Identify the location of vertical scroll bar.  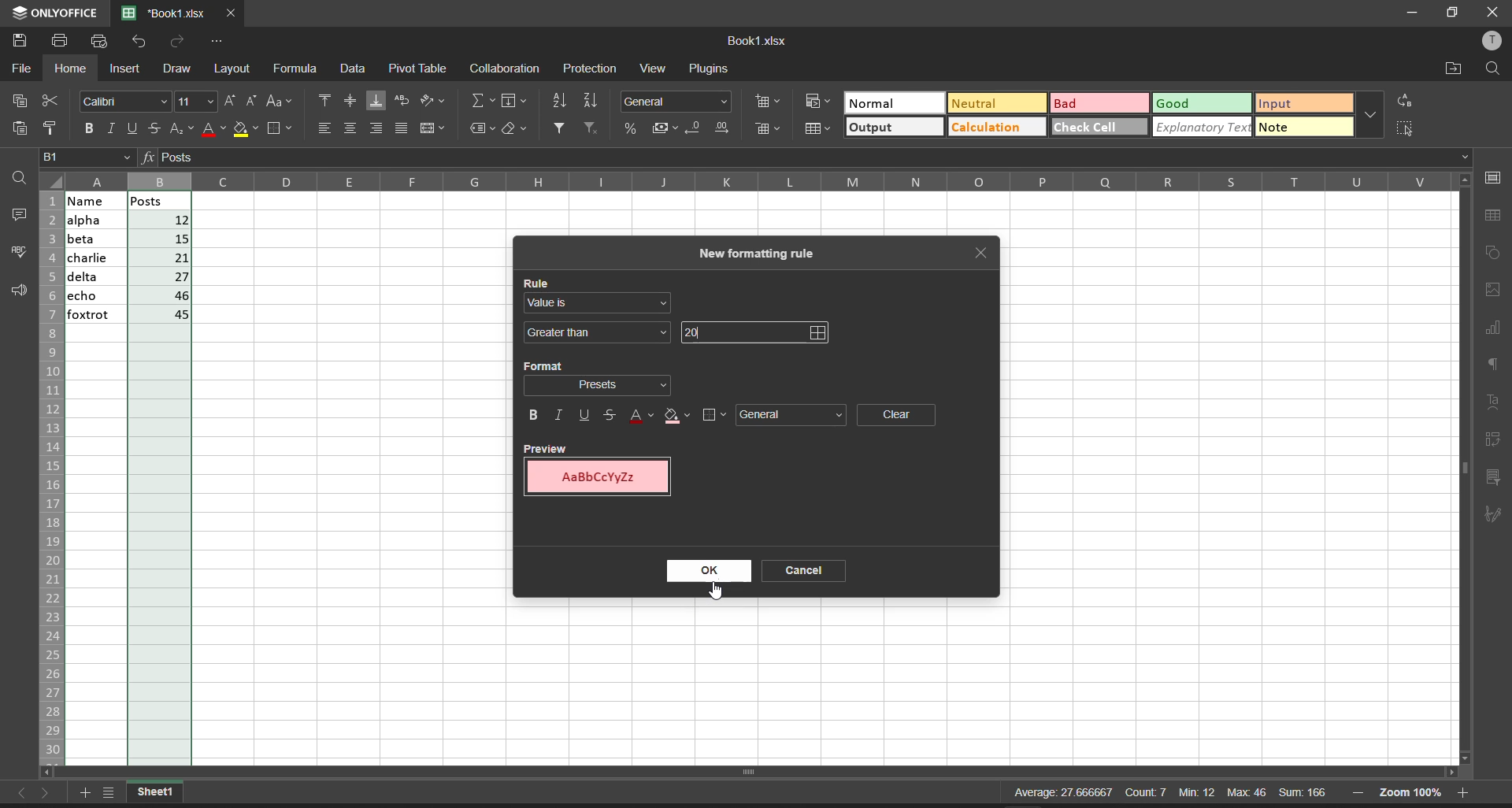
(1466, 454).